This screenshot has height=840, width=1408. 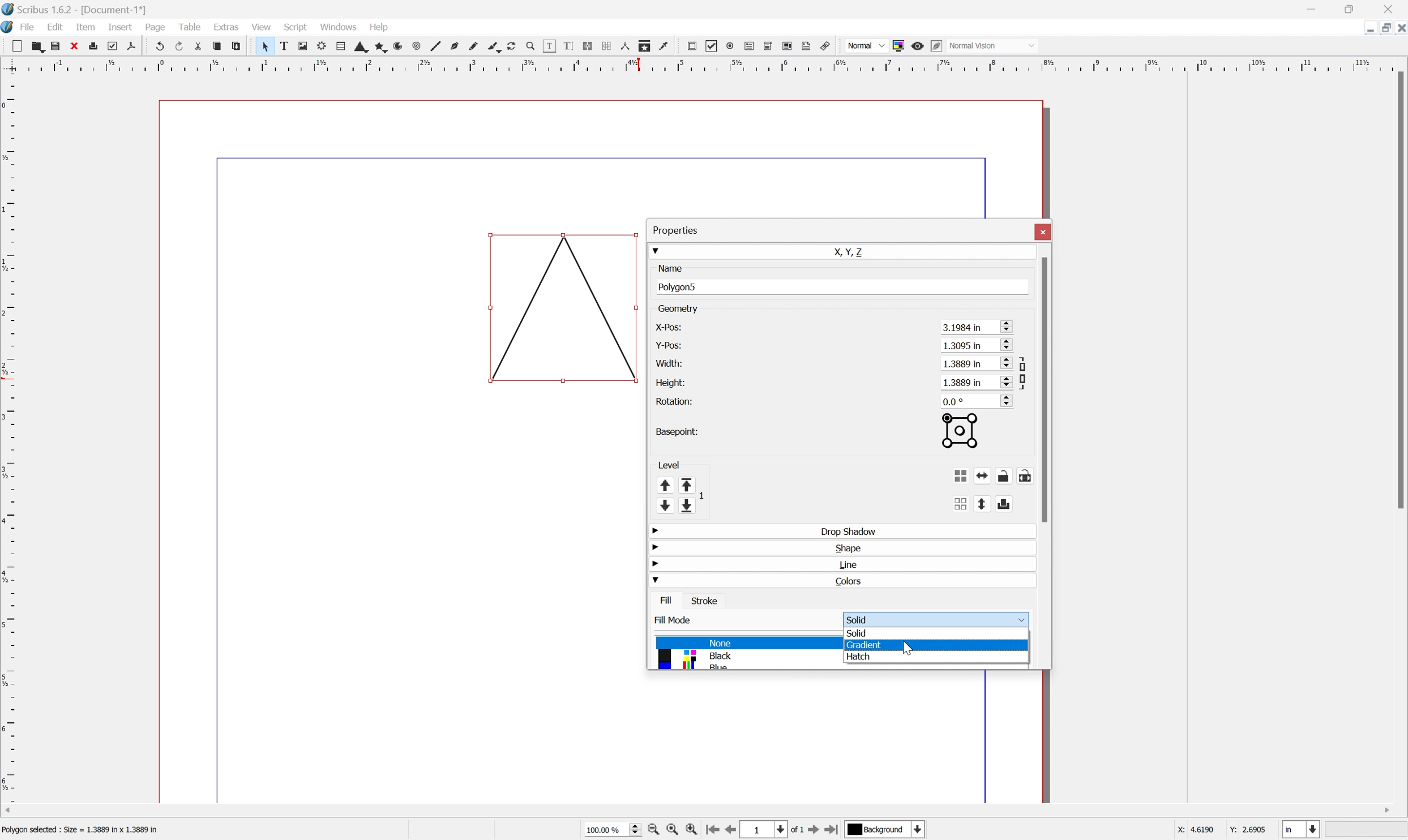 I want to click on Select current page, so click(x=777, y=829).